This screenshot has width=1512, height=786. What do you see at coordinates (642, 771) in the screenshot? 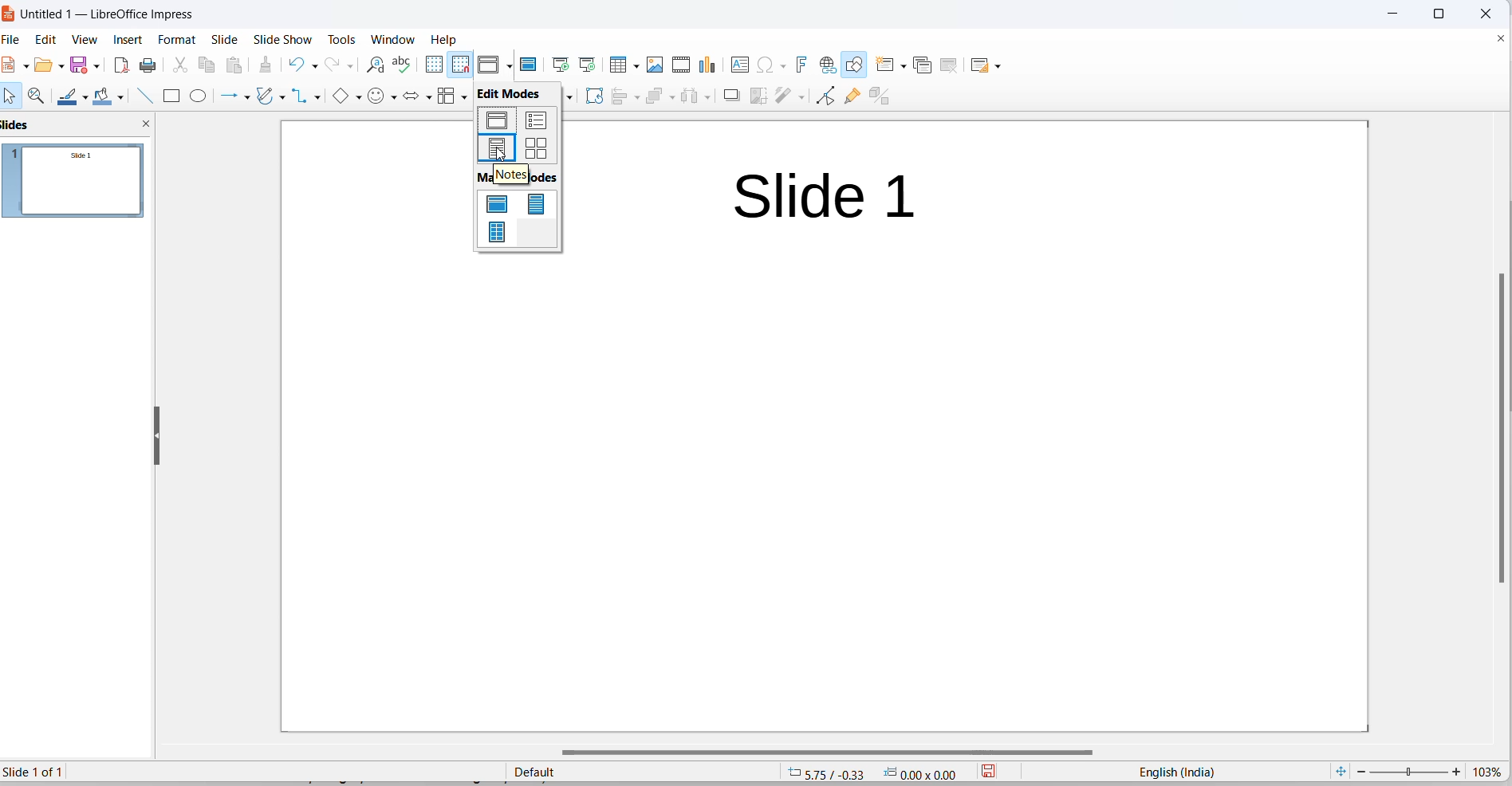
I see `slide master type` at bounding box center [642, 771].